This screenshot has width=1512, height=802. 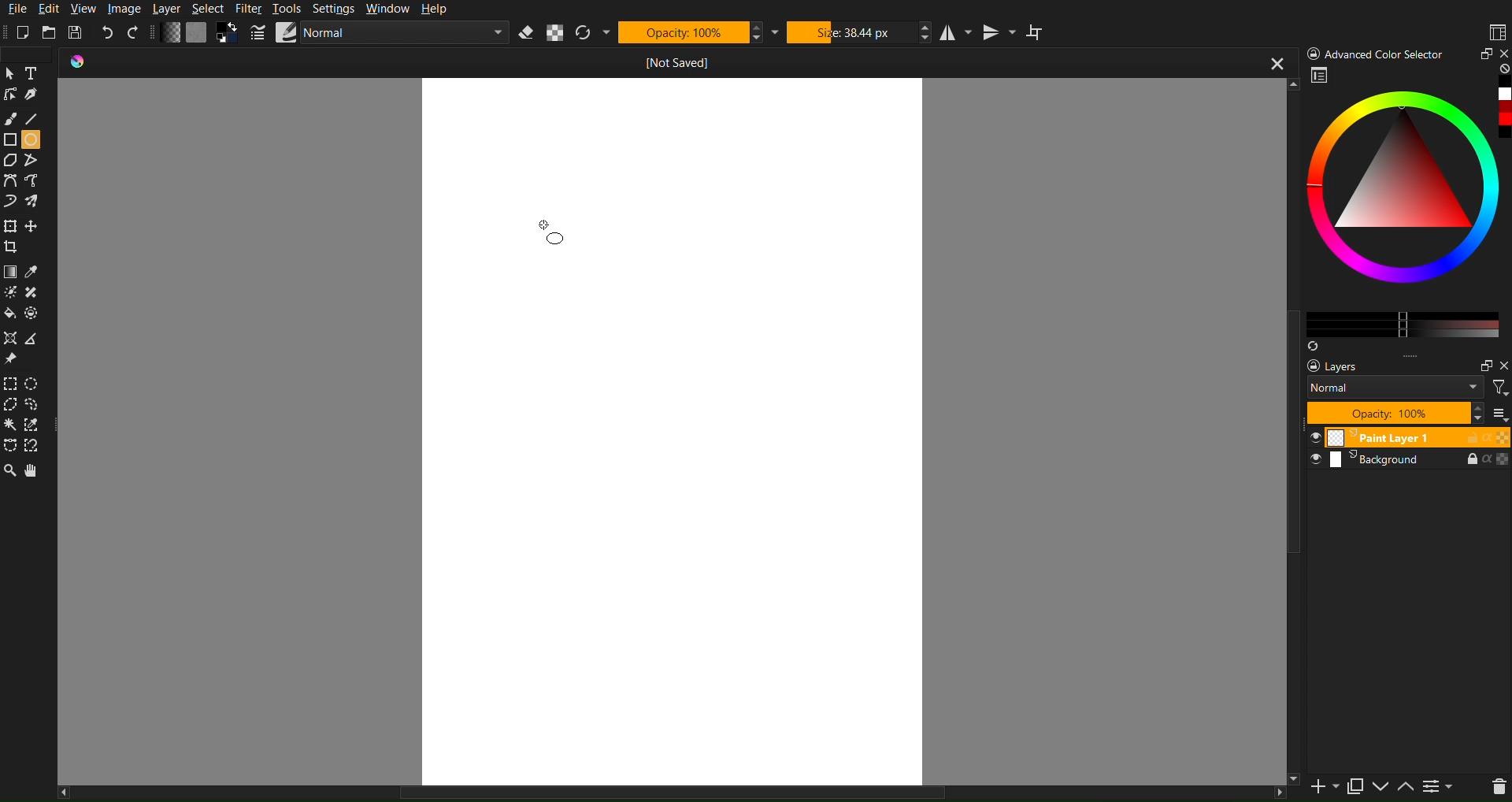 What do you see at coordinates (1369, 50) in the screenshot?
I see `) Advanced Color Selector` at bounding box center [1369, 50].